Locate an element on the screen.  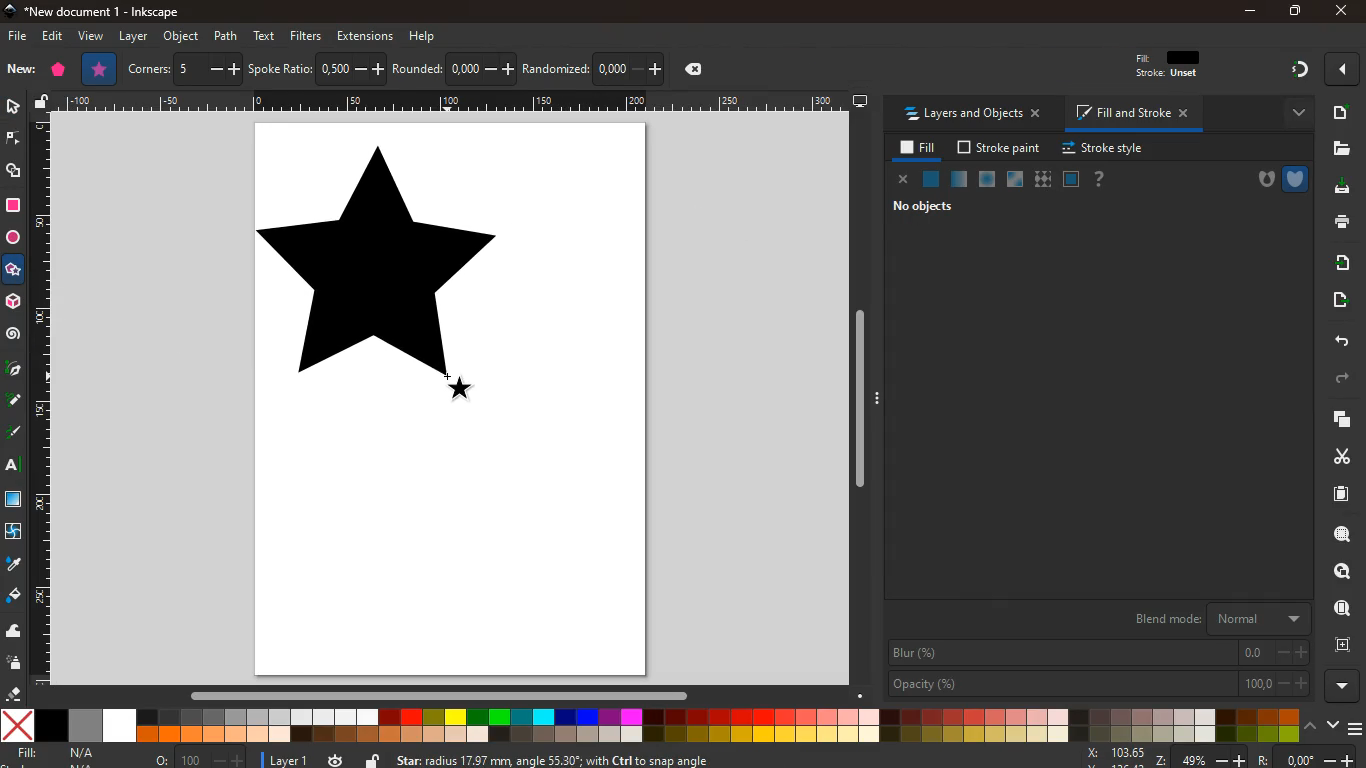
corners is located at coordinates (185, 69).